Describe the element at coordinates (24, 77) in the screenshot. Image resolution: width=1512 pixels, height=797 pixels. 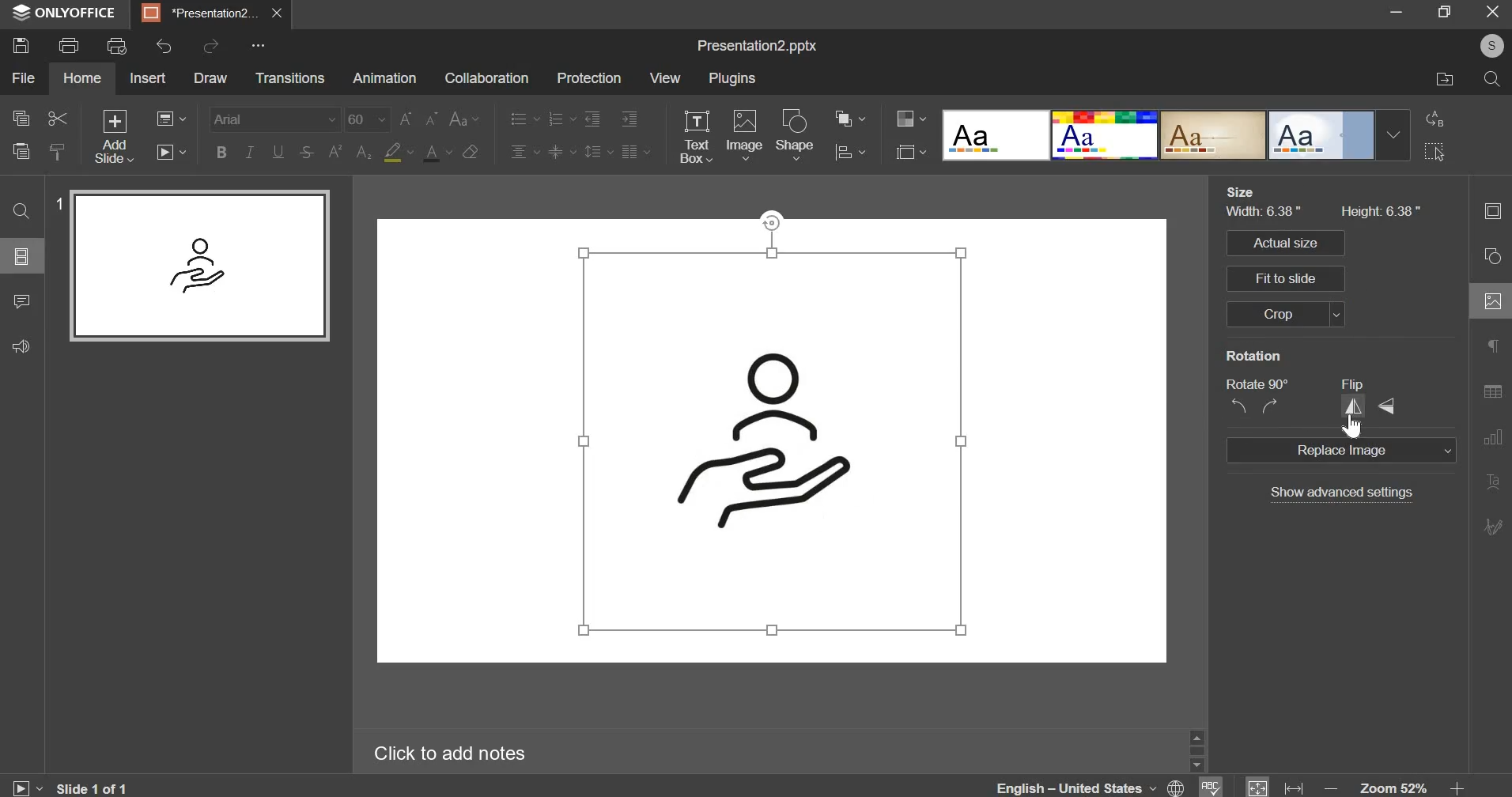
I see `file` at that location.